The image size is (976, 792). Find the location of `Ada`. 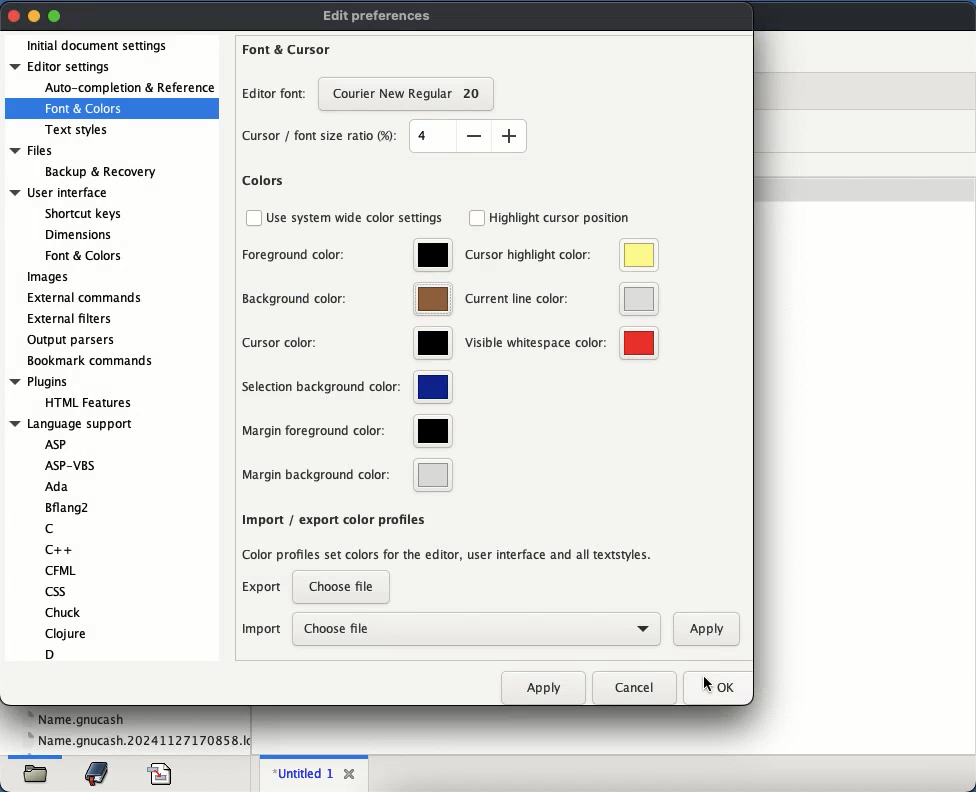

Ada is located at coordinates (57, 487).